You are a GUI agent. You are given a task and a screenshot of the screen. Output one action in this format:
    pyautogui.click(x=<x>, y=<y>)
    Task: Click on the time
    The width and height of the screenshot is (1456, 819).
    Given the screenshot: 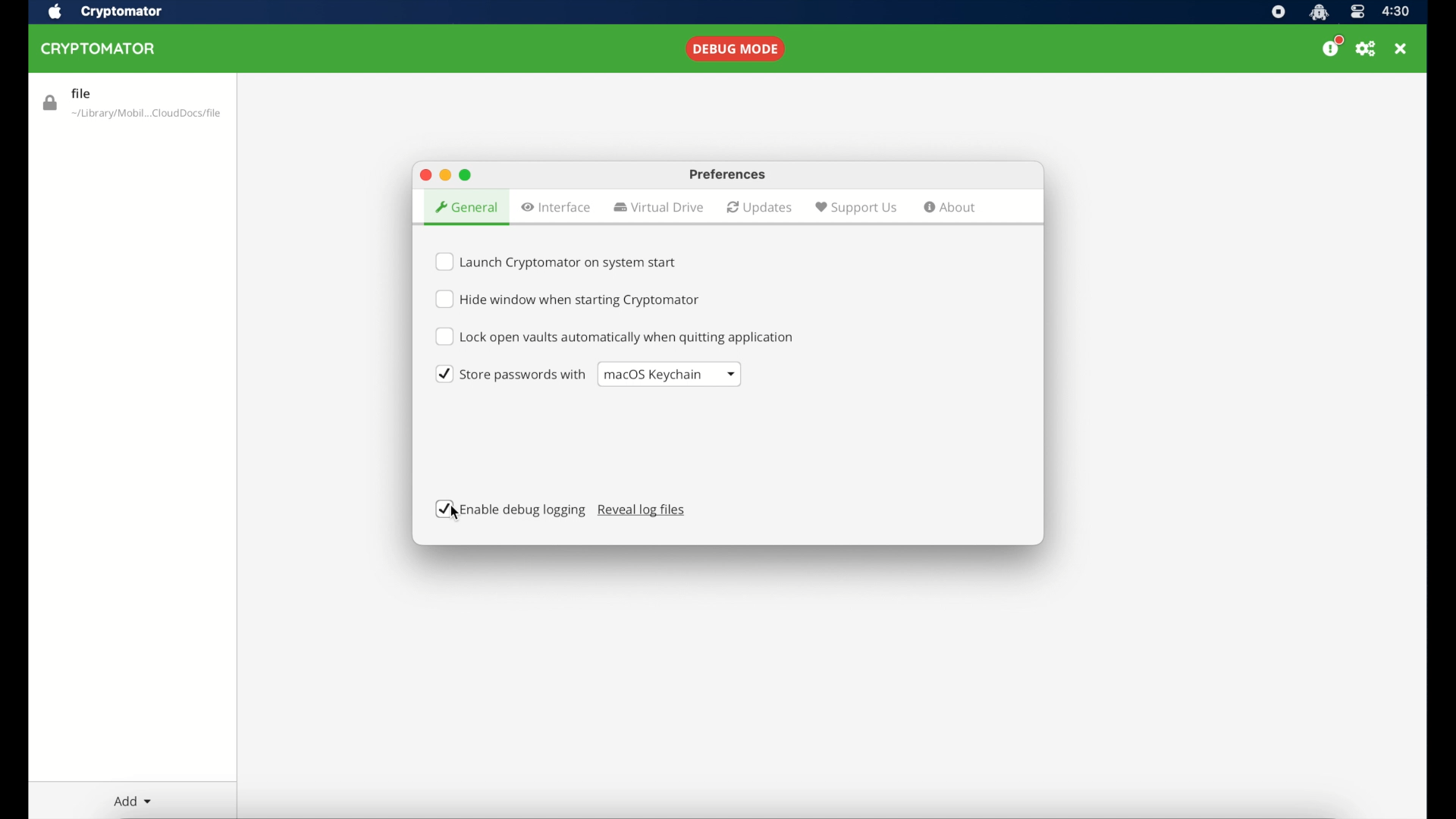 What is the action you would take?
    pyautogui.click(x=1397, y=11)
    